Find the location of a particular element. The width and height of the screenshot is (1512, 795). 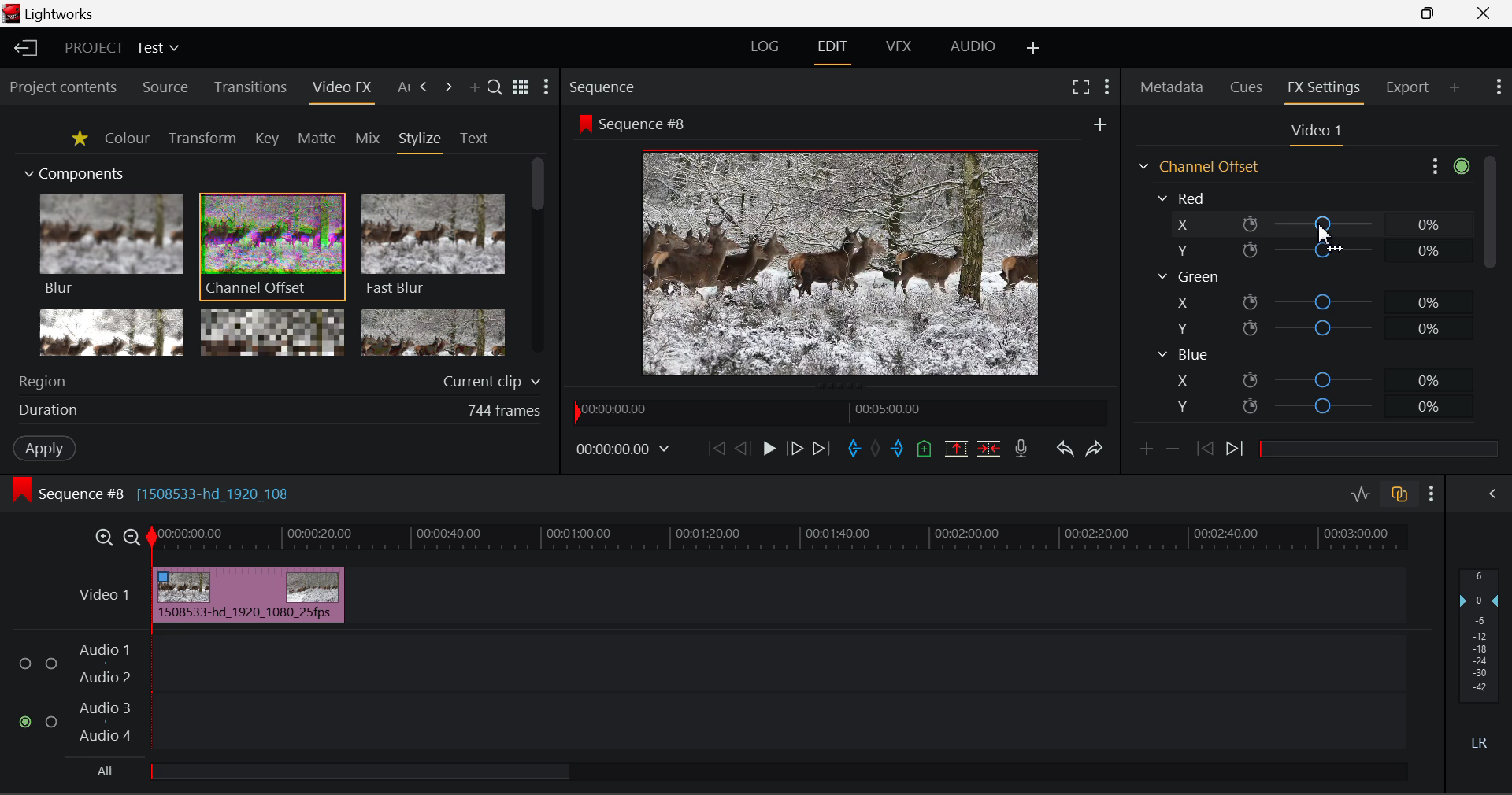

Colour is located at coordinates (126, 138).